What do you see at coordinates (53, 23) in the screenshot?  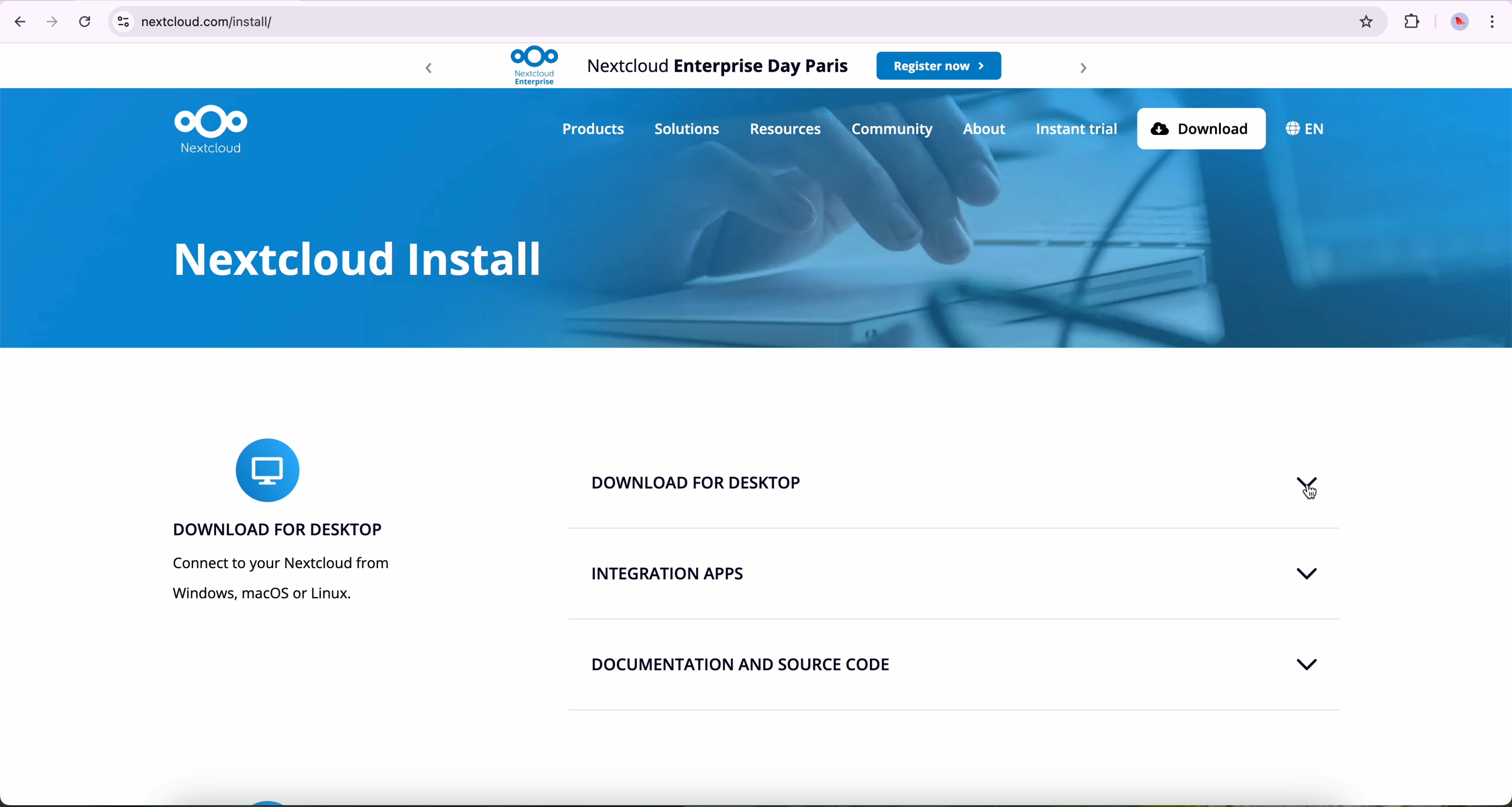 I see `navigate foward` at bounding box center [53, 23].